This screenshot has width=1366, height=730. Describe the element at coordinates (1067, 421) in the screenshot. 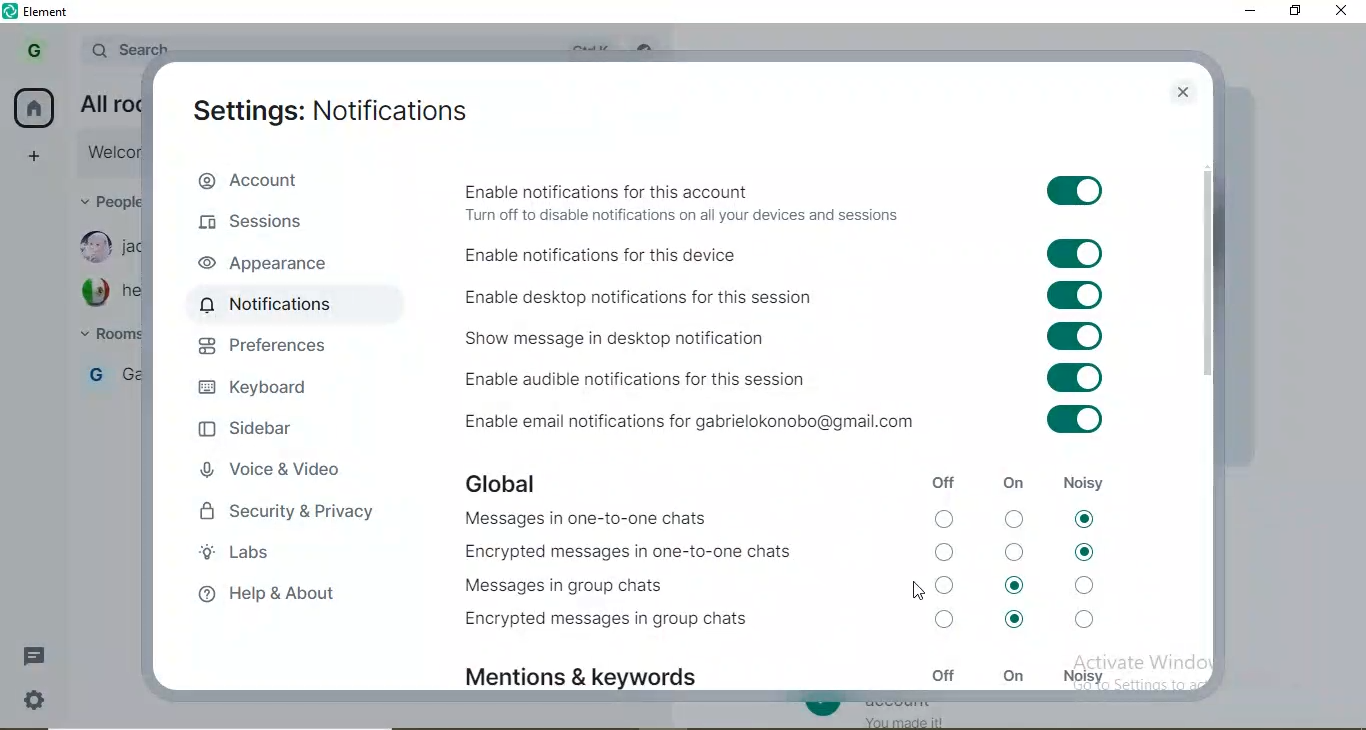

I see `toggle` at that location.